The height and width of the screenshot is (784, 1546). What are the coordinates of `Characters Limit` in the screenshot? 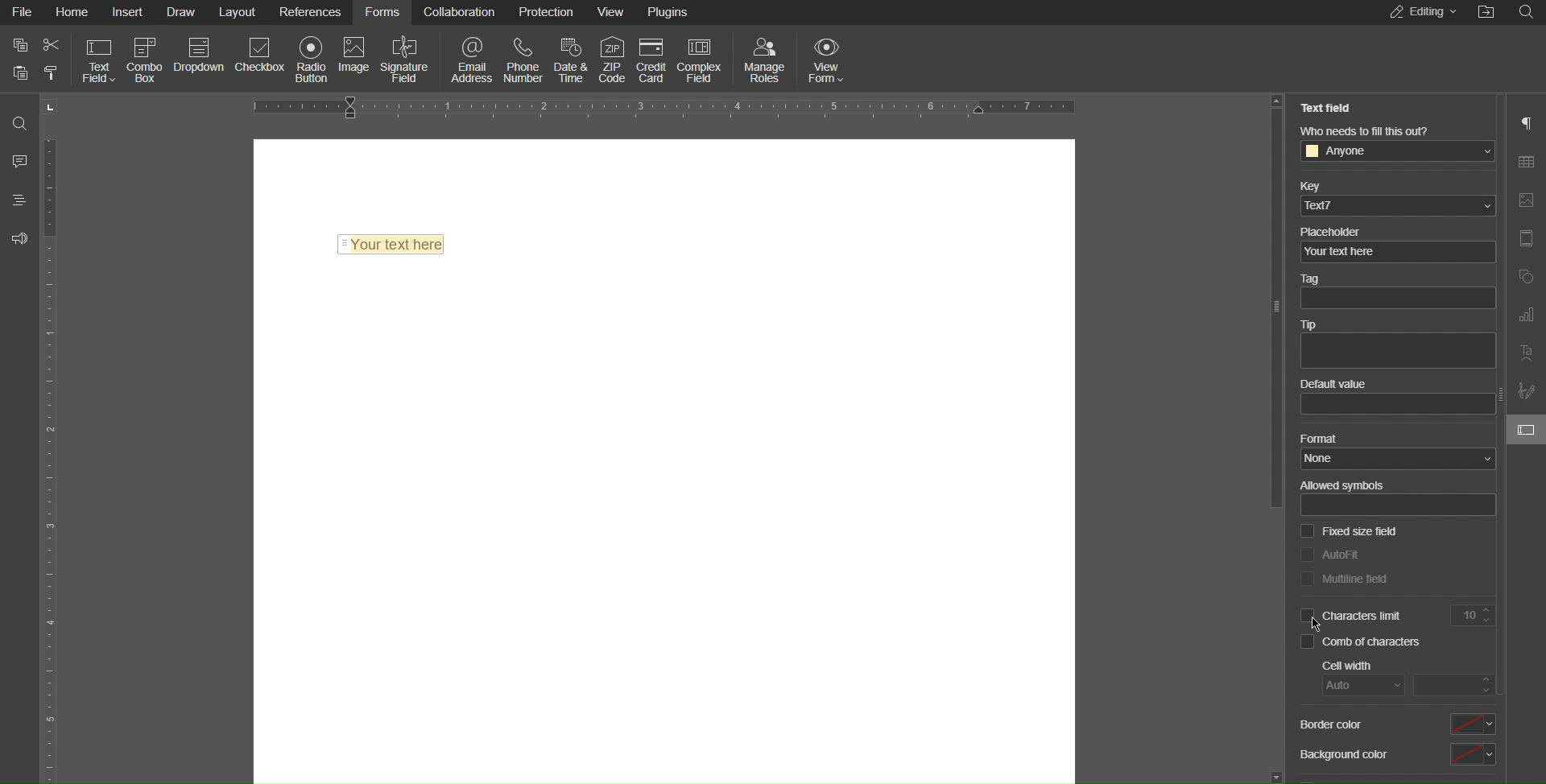 It's located at (1397, 617).